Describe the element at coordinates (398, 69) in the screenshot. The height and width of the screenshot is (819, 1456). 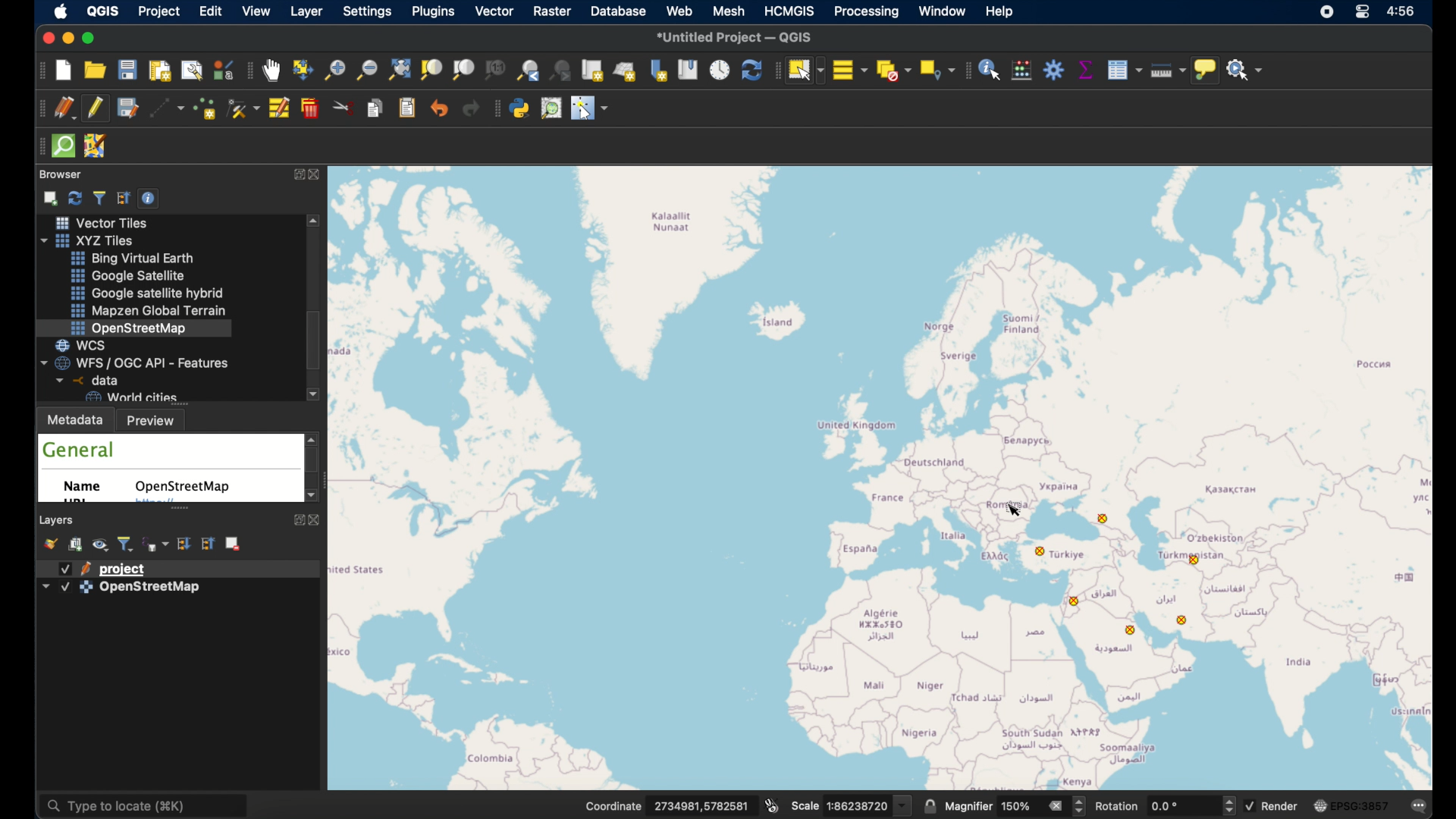
I see `zoom full` at that location.